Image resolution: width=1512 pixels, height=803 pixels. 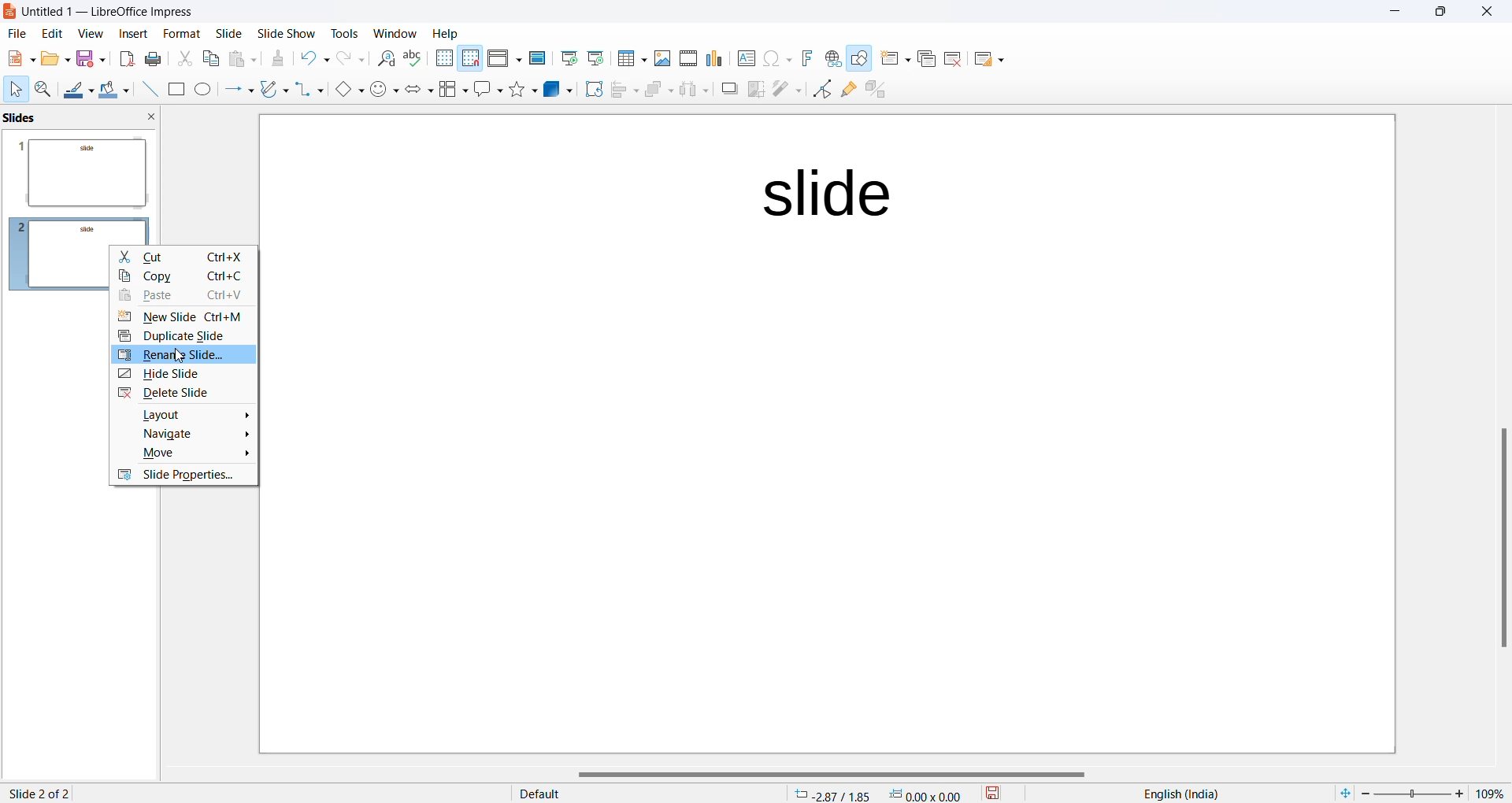 I want to click on Line color, so click(x=77, y=88).